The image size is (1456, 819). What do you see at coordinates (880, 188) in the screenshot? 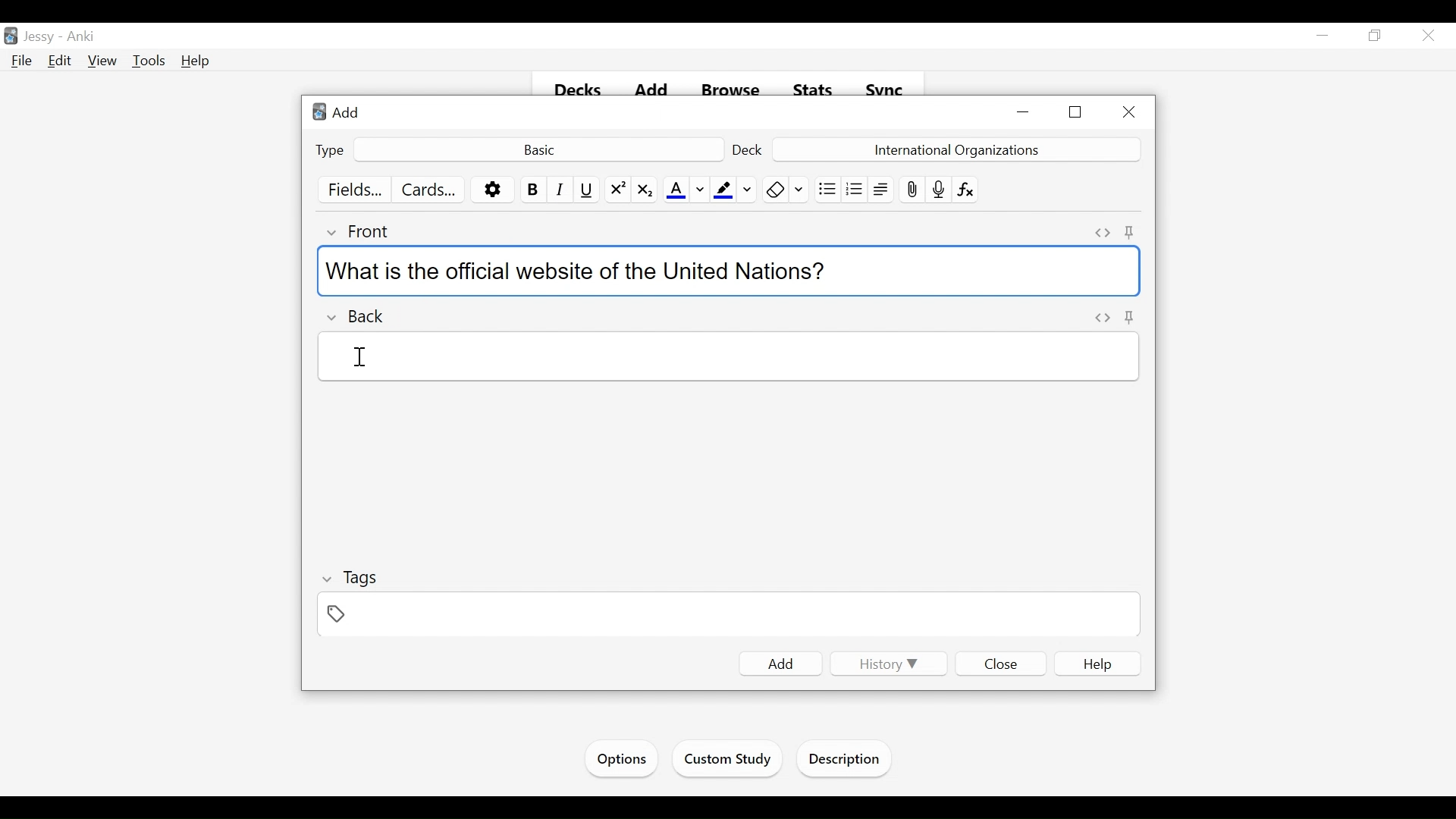
I see `Alignment` at bounding box center [880, 188].